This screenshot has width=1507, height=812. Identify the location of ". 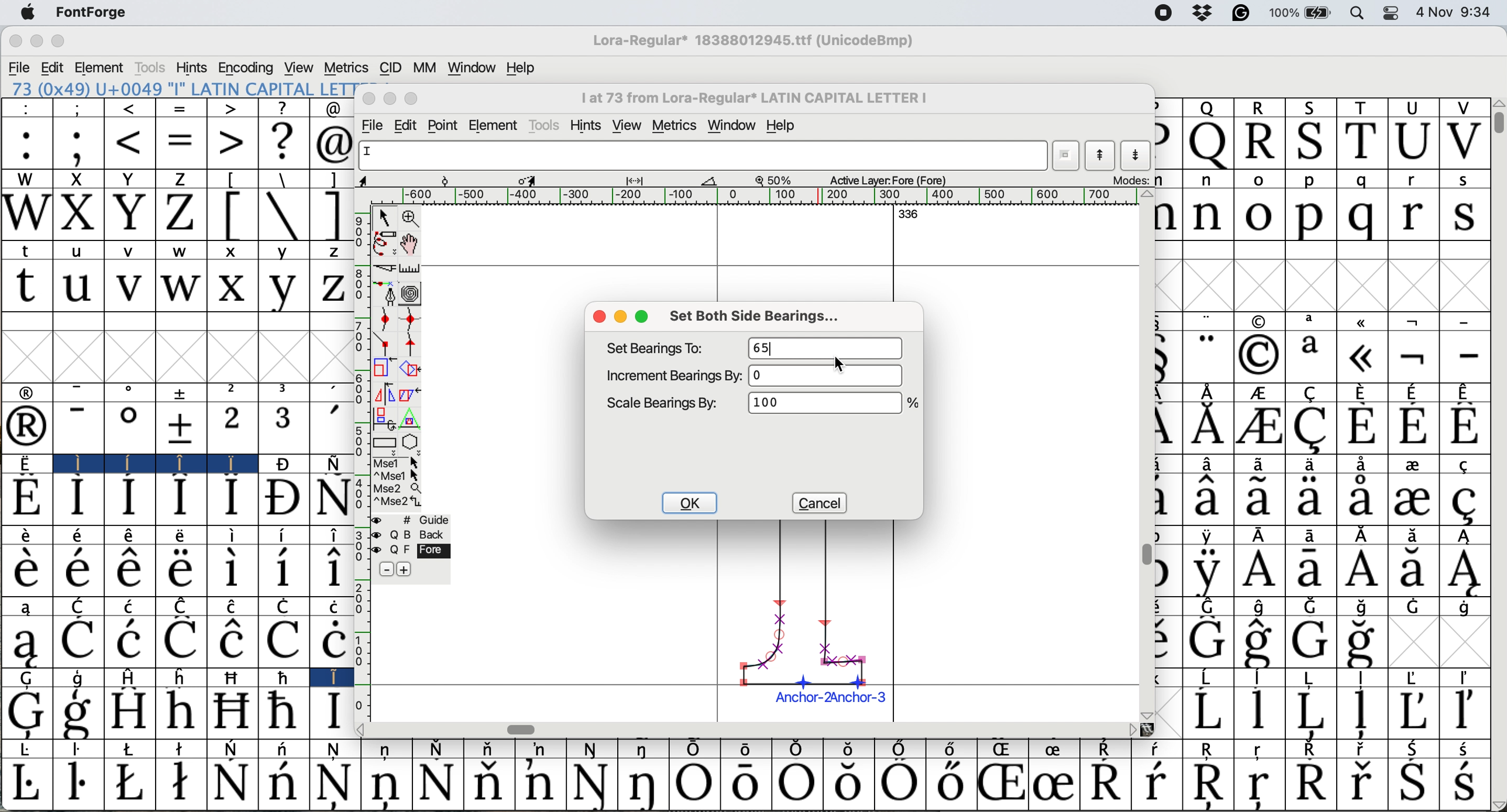
(1210, 320).